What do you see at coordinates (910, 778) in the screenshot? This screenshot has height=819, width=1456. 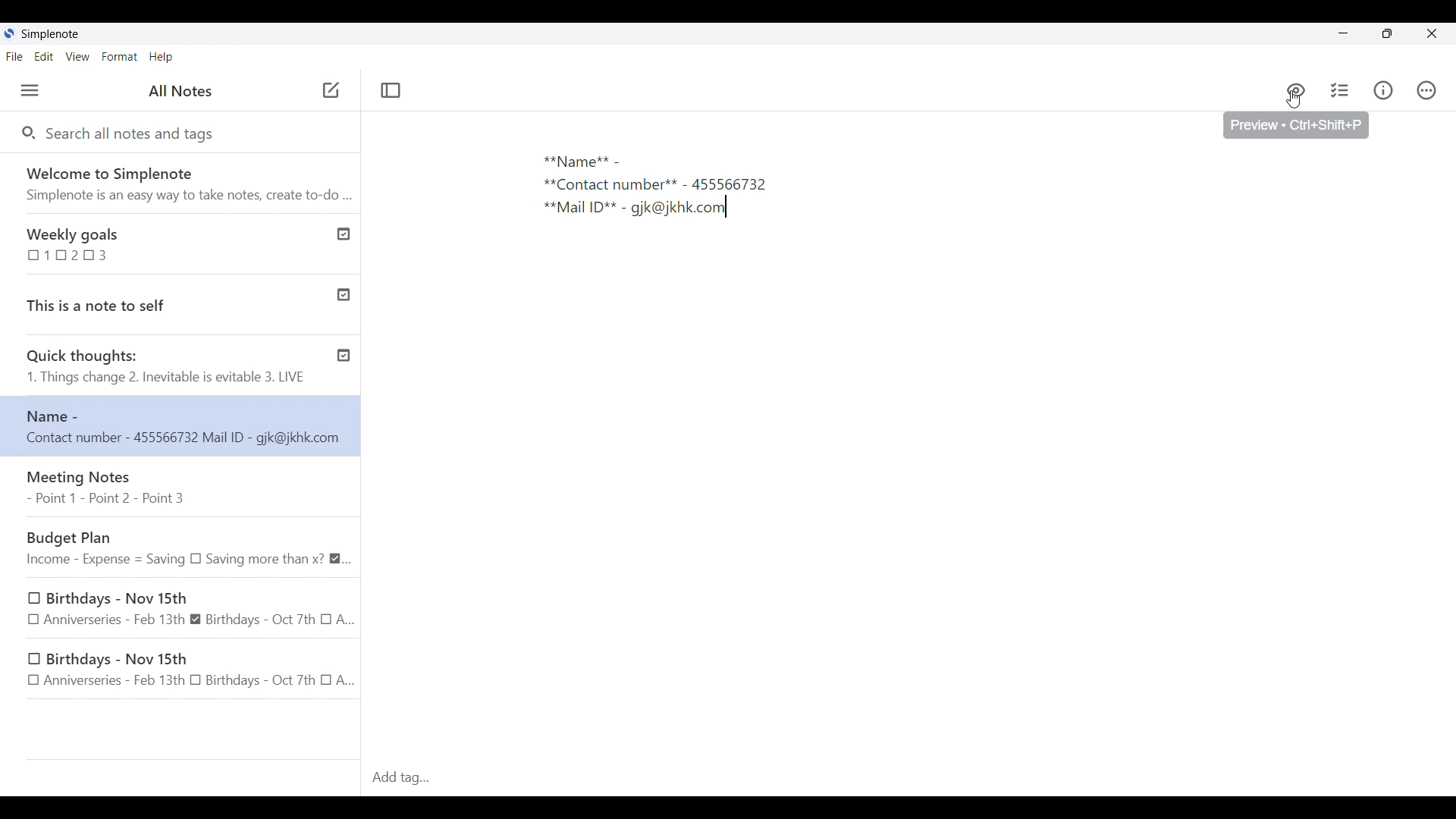 I see `Click to type in tag` at bounding box center [910, 778].